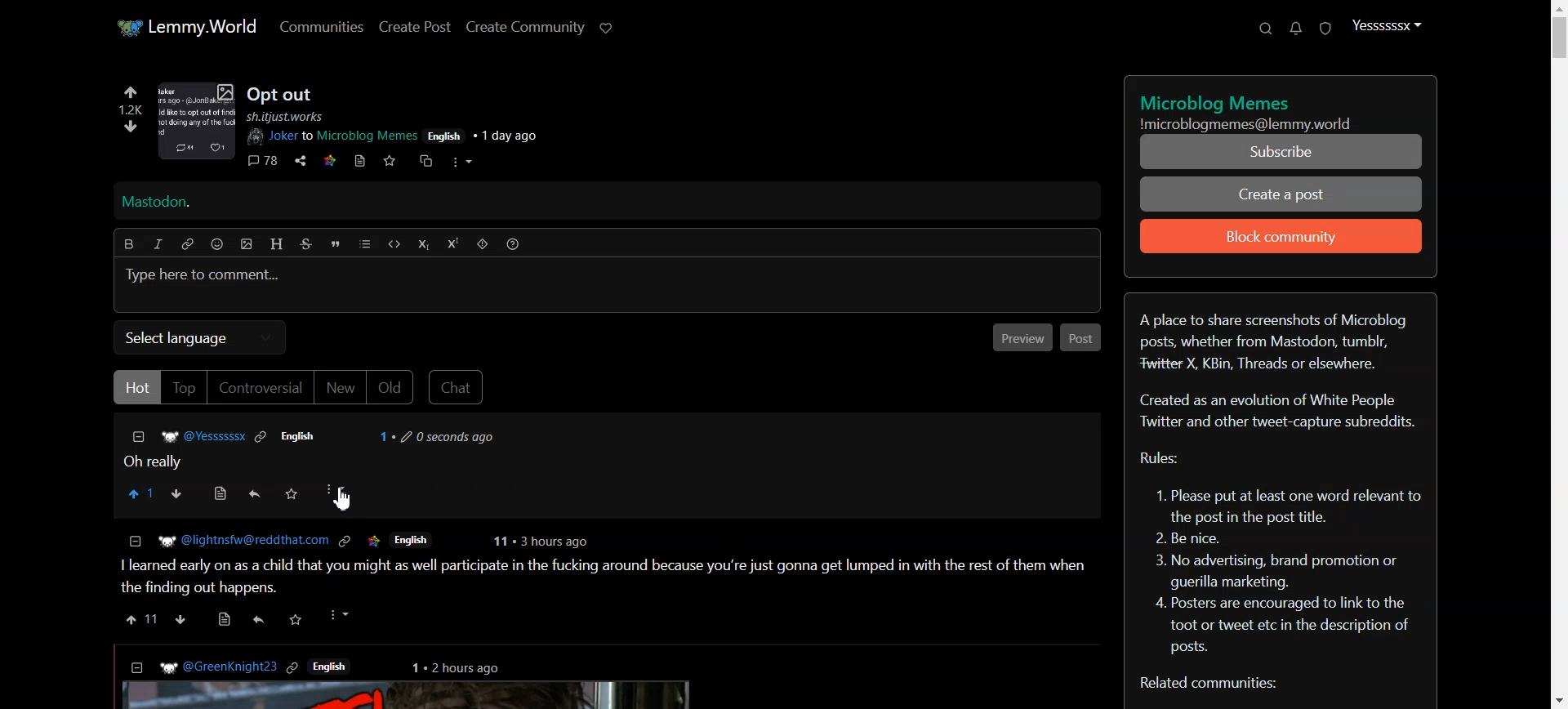 This screenshot has height=709, width=1568. Describe the element at coordinates (526, 27) in the screenshot. I see `Create Community` at that location.